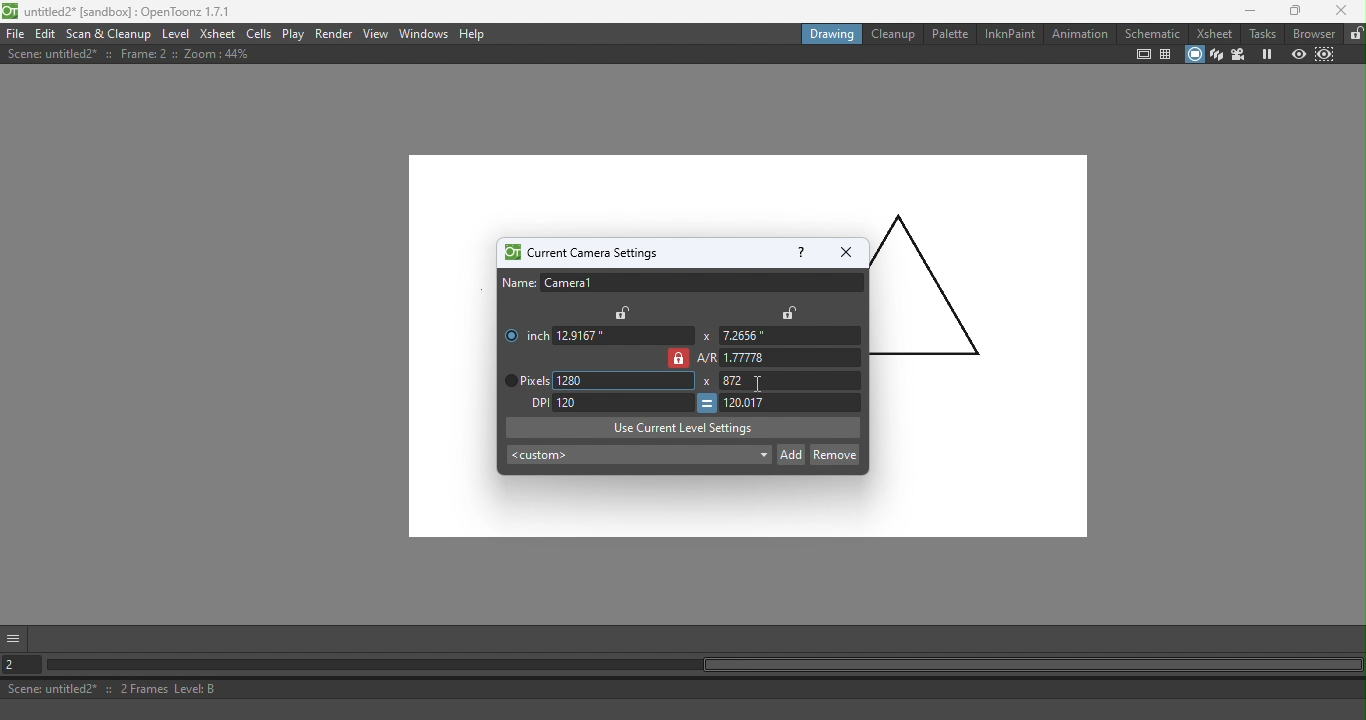  Describe the element at coordinates (845, 252) in the screenshot. I see `Close` at that location.